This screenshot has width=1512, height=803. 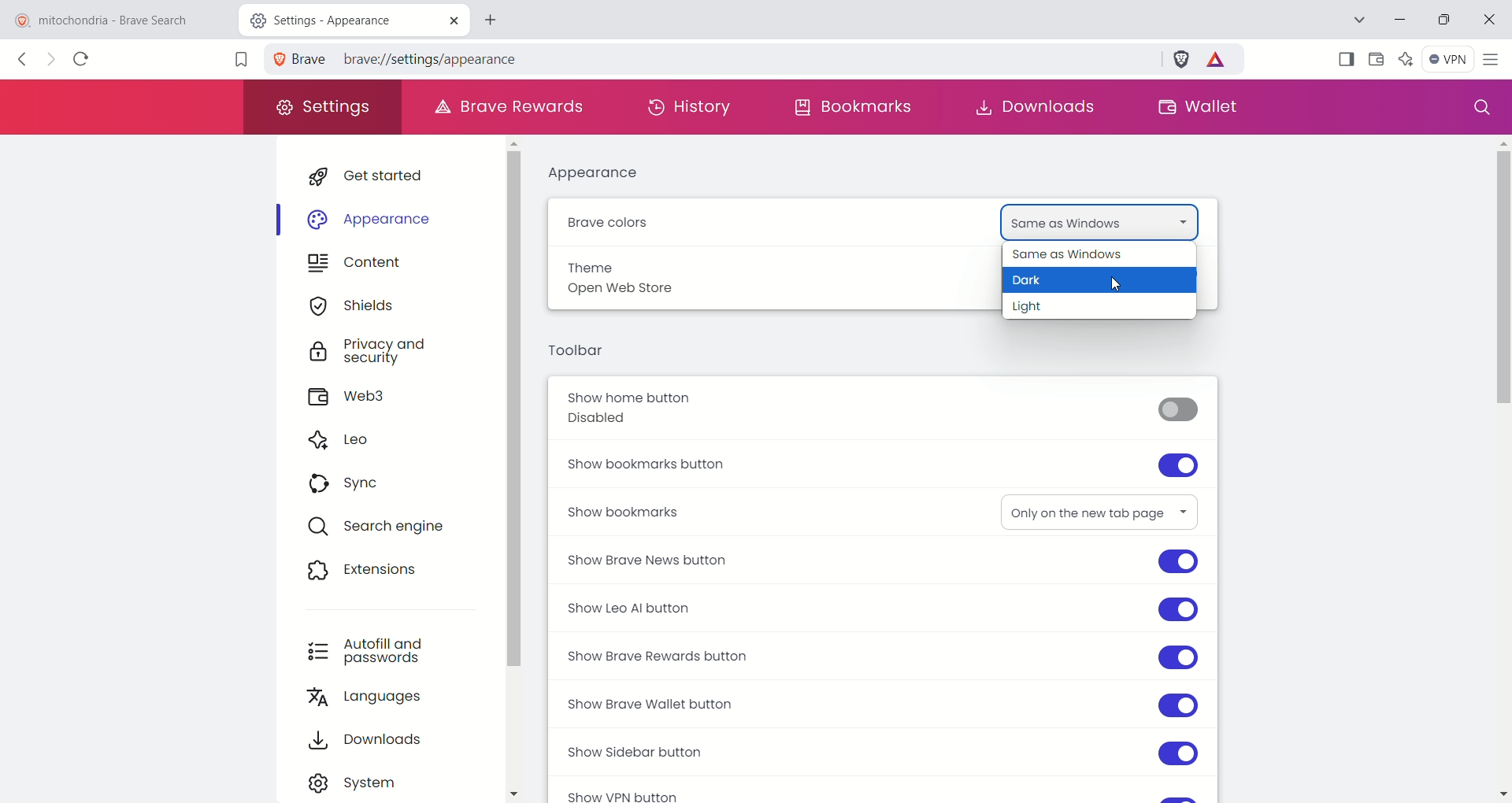 What do you see at coordinates (887, 704) in the screenshot?
I see `show brave wallet button` at bounding box center [887, 704].